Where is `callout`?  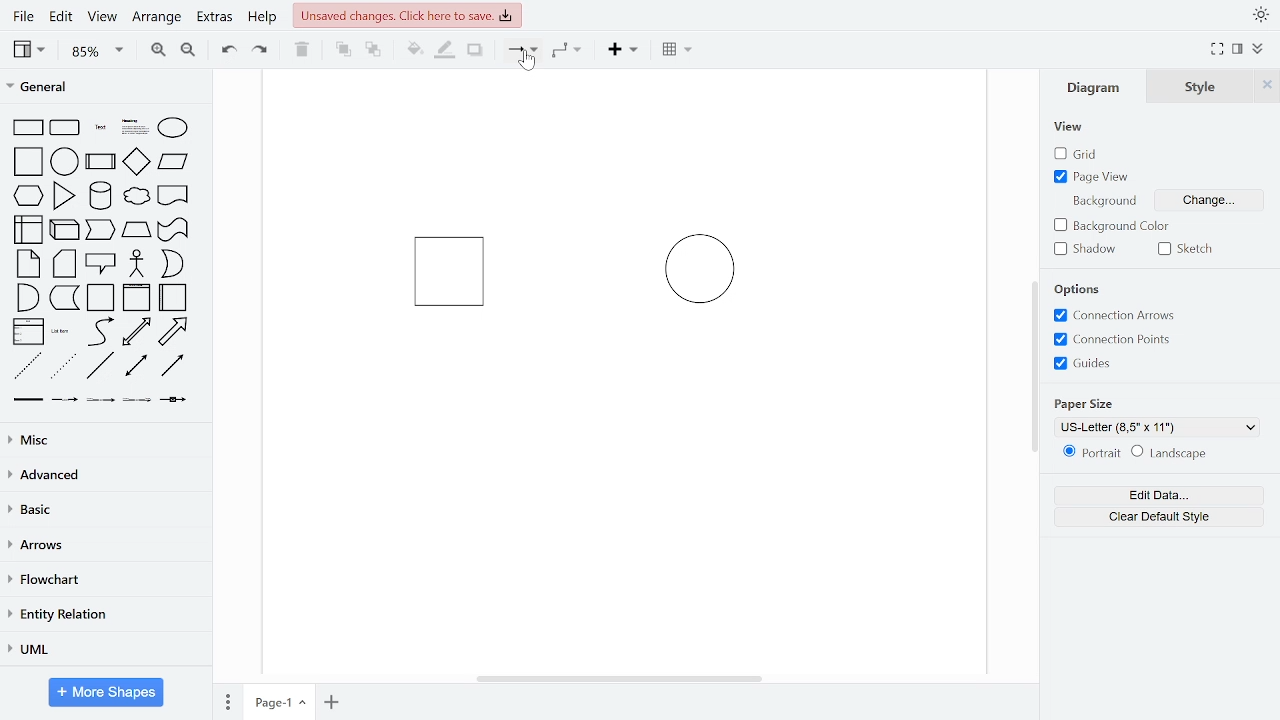
callout is located at coordinates (102, 264).